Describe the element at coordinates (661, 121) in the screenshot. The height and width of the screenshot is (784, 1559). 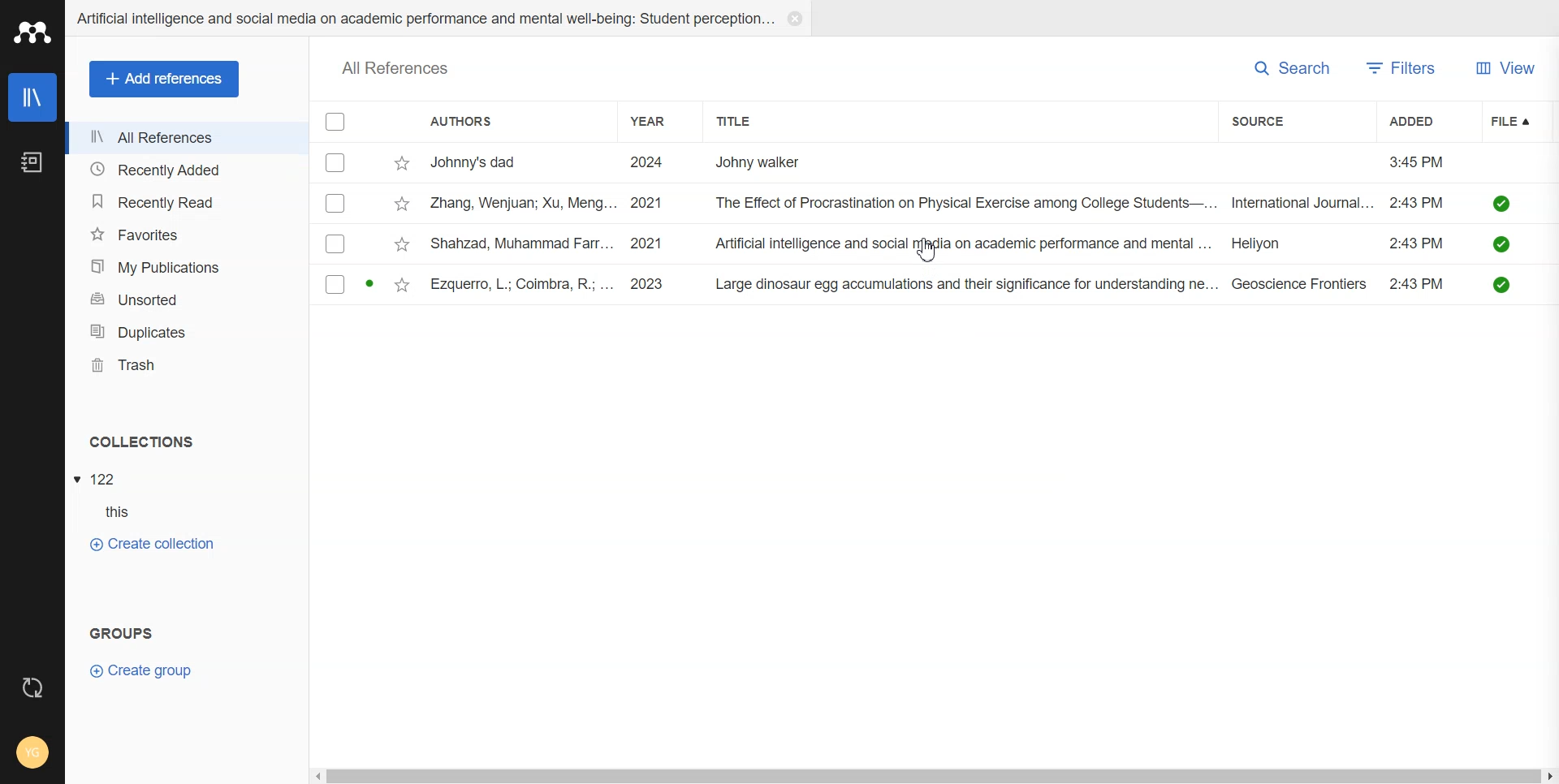
I see `Year` at that location.